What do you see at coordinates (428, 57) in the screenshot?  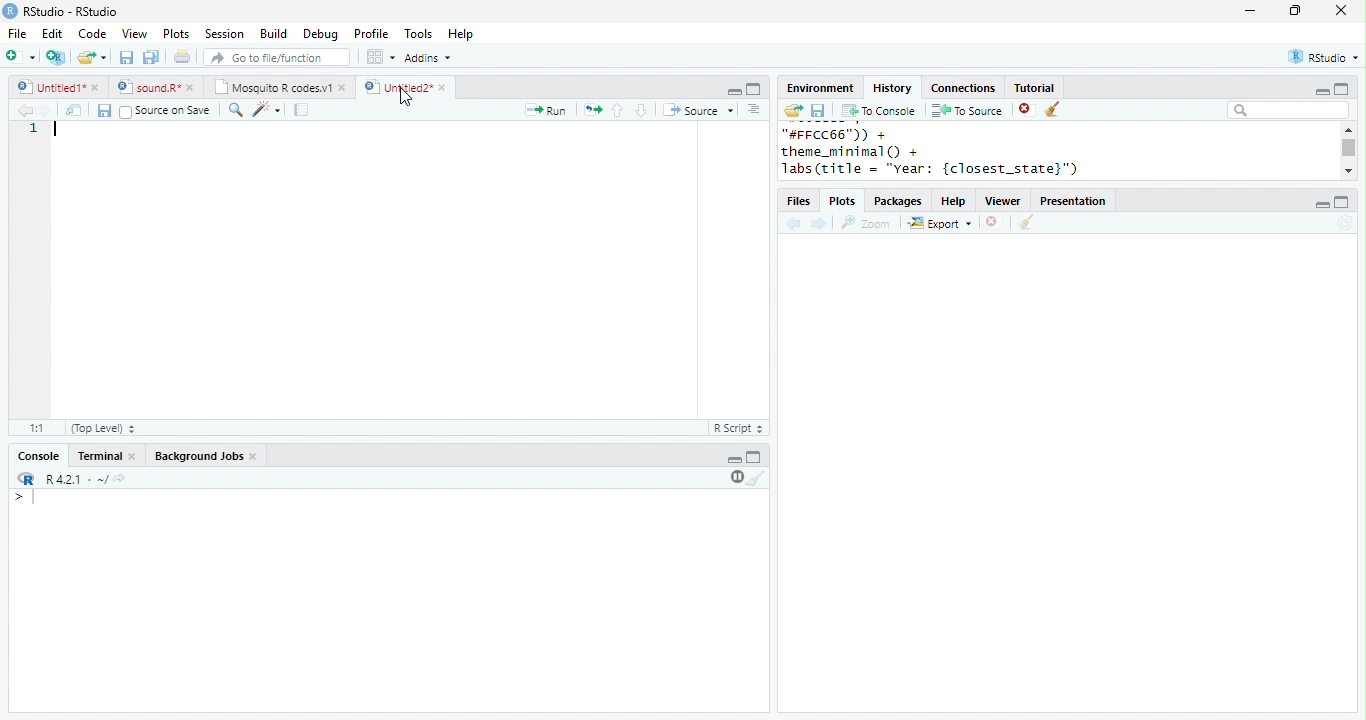 I see `Addins` at bounding box center [428, 57].